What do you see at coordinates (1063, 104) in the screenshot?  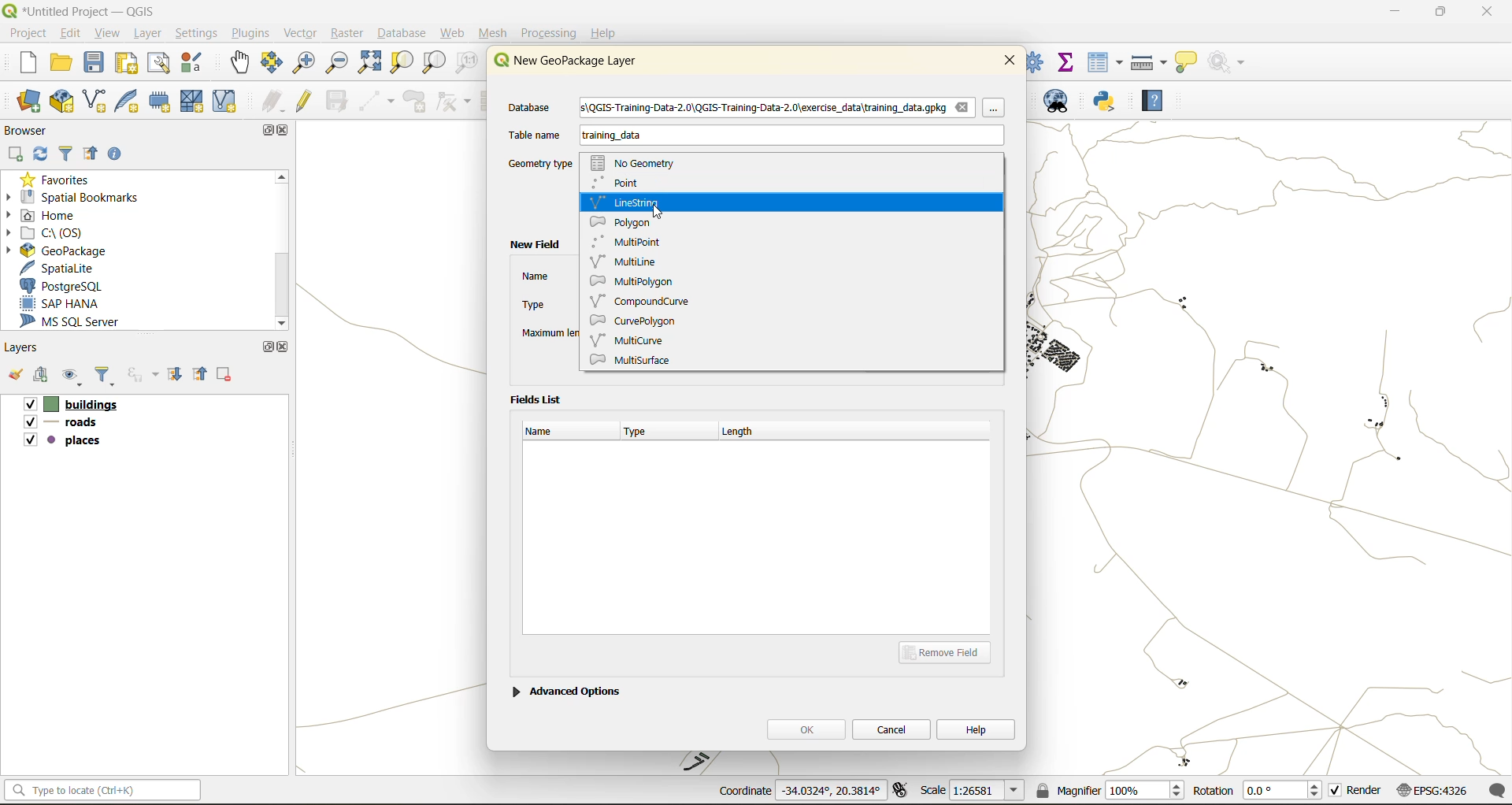 I see `metasearch` at bounding box center [1063, 104].